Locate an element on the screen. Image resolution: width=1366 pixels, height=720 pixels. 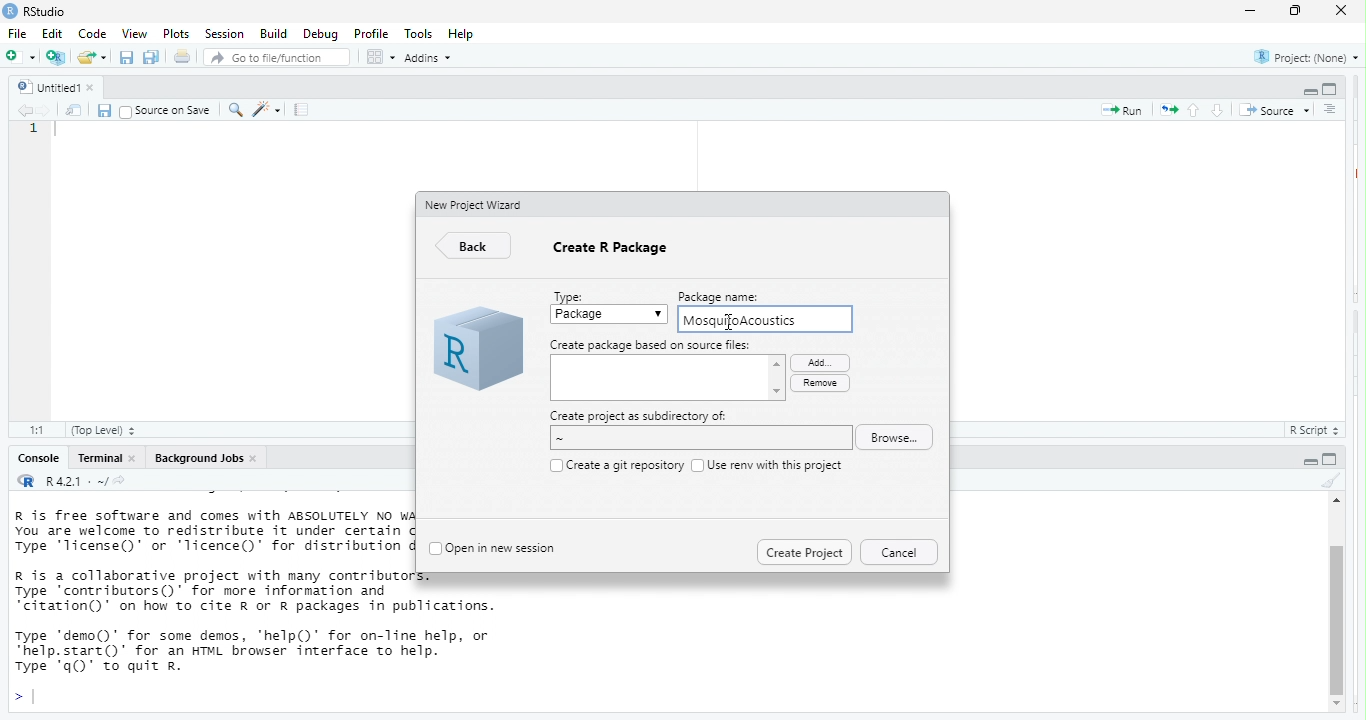
Profile is located at coordinates (373, 34).